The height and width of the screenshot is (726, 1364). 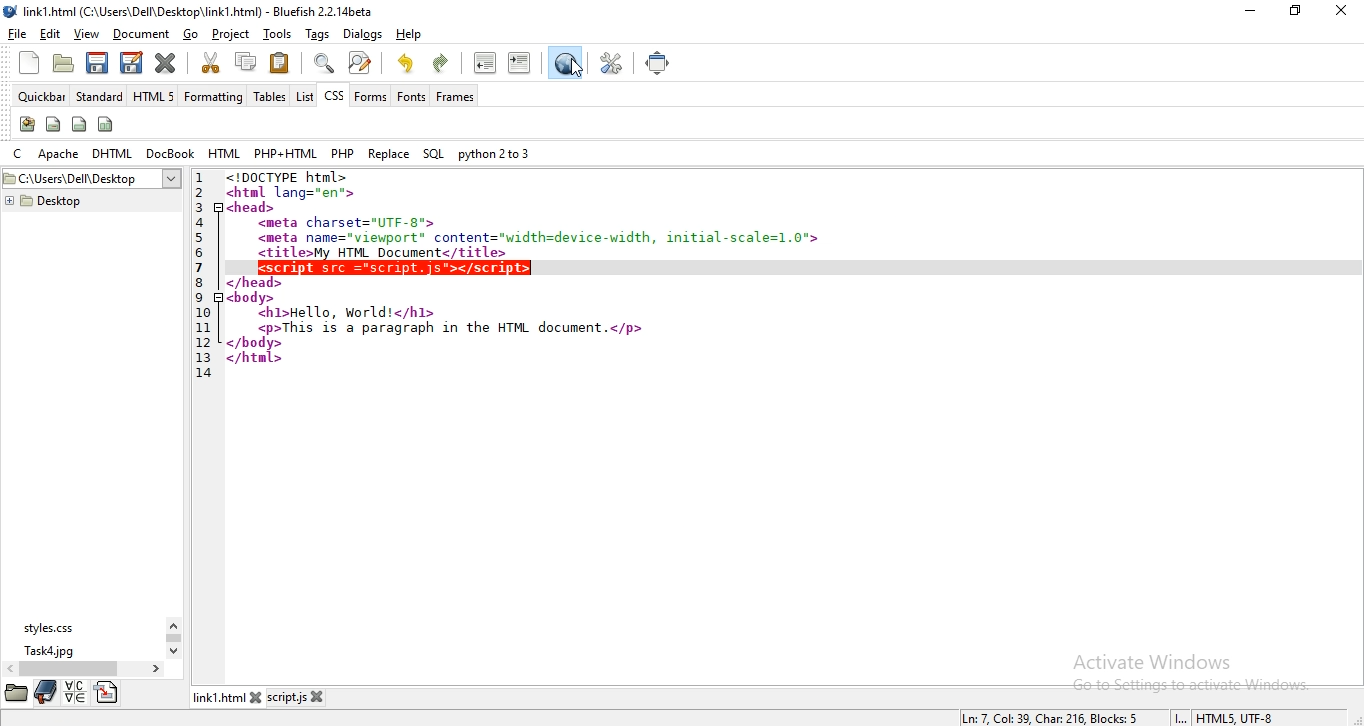 What do you see at coordinates (432, 154) in the screenshot?
I see `sql` at bounding box center [432, 154].